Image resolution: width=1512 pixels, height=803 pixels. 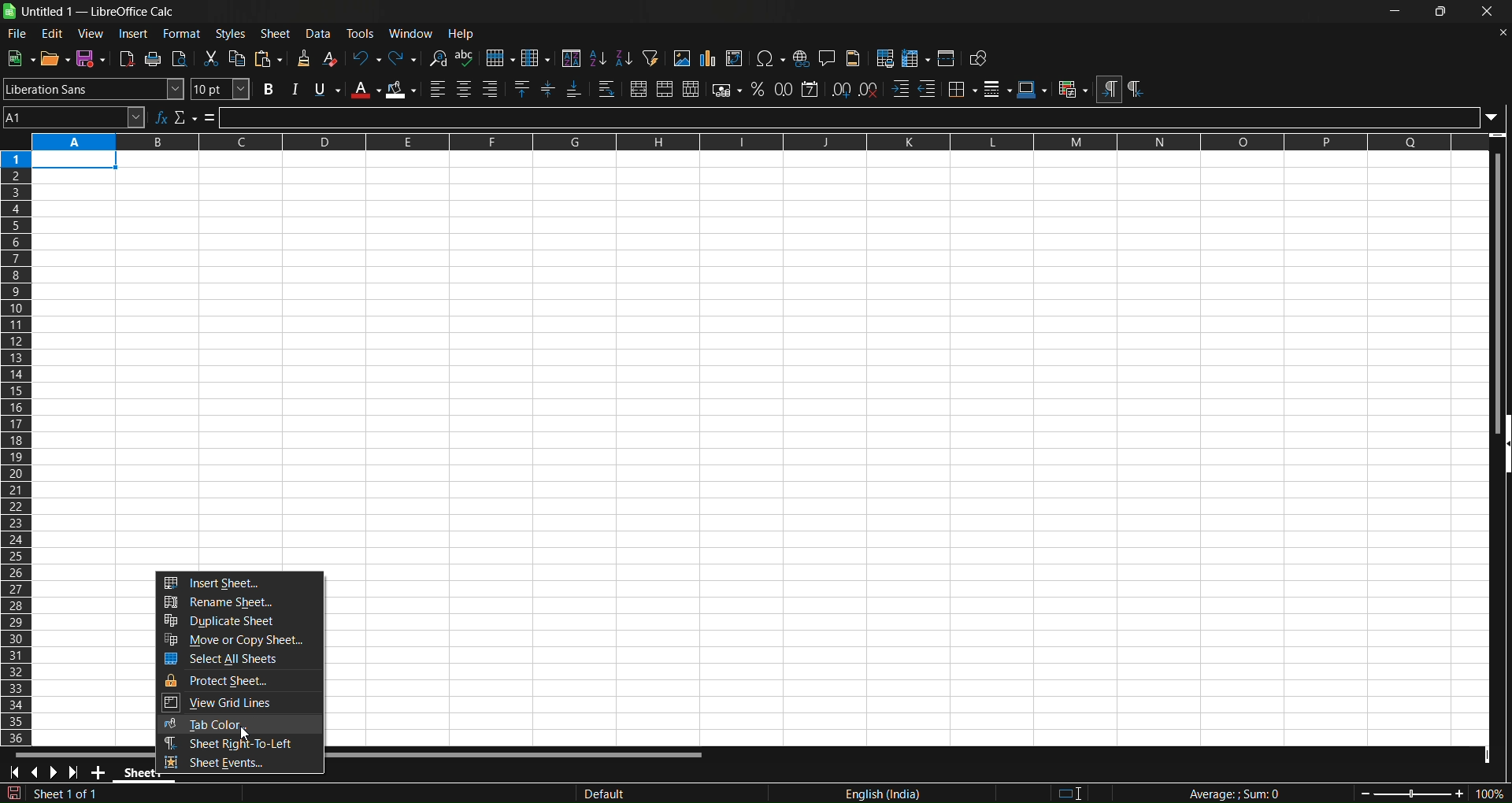 I want to click on add new sheet, so click(x=100, y=775).